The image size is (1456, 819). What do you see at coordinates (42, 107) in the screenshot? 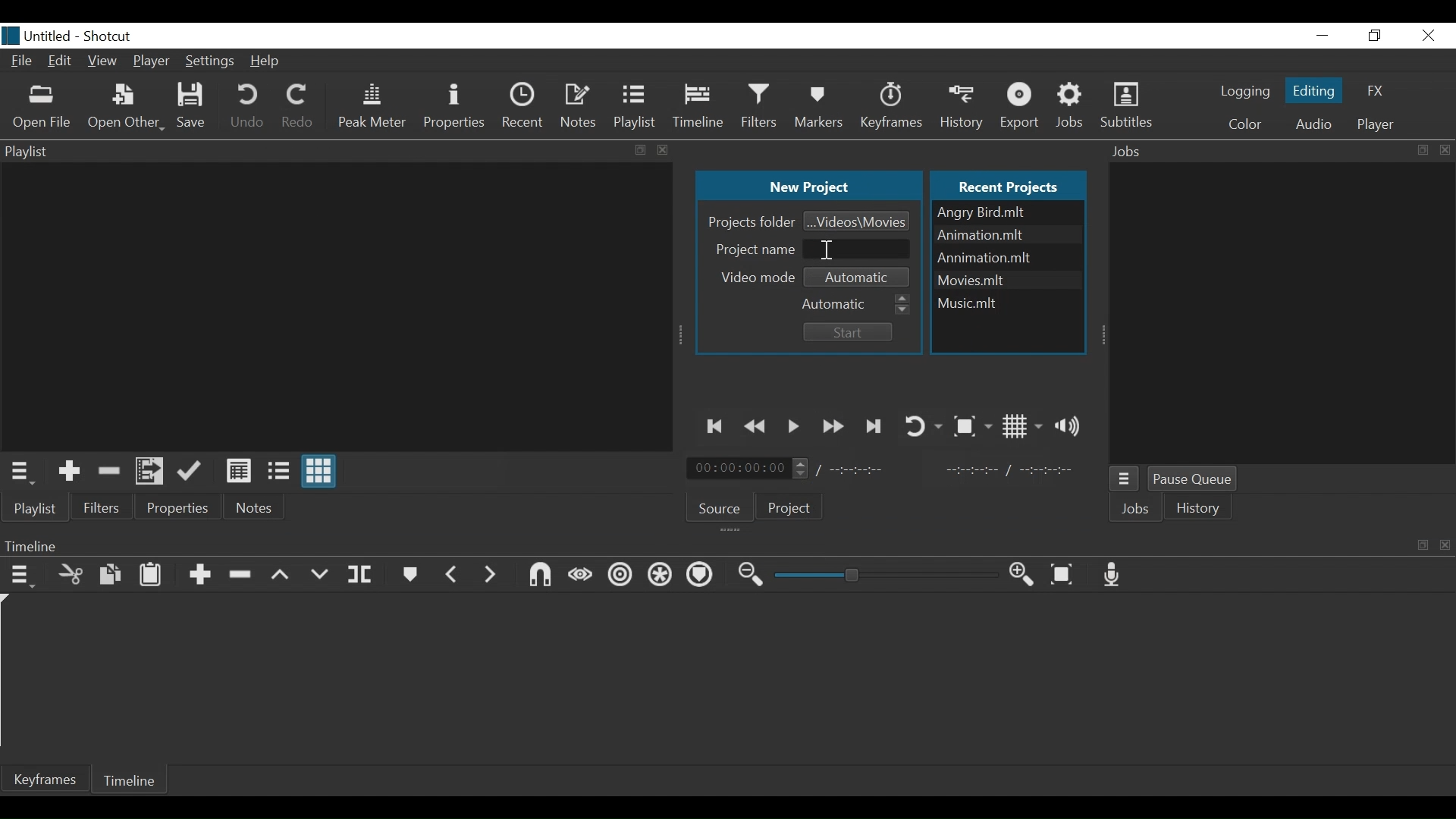
I see `Open File` at bounding box center [42, 107].